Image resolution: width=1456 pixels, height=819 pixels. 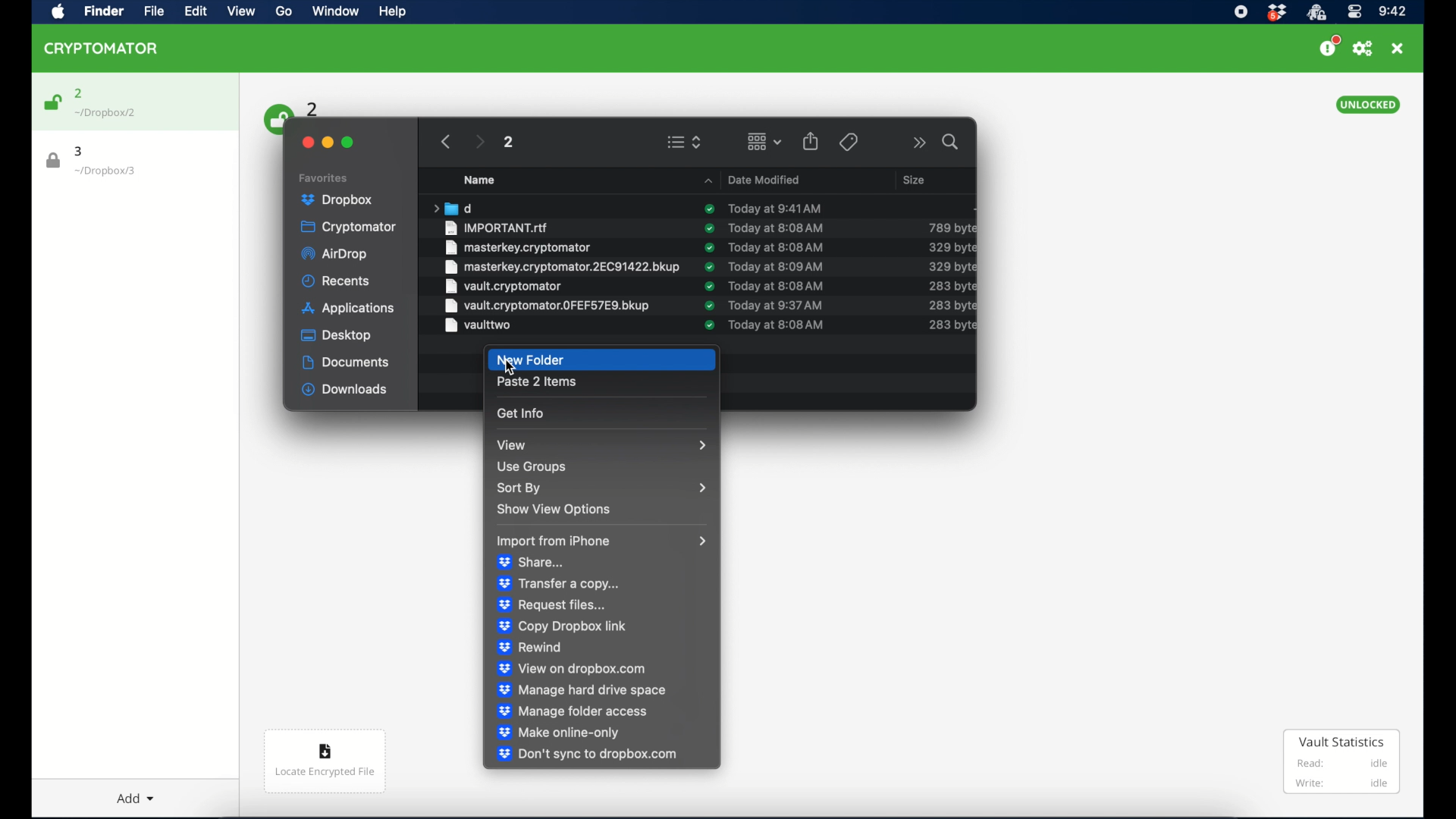 I want to click on view  on dropbox, so click(x=573, y=668).